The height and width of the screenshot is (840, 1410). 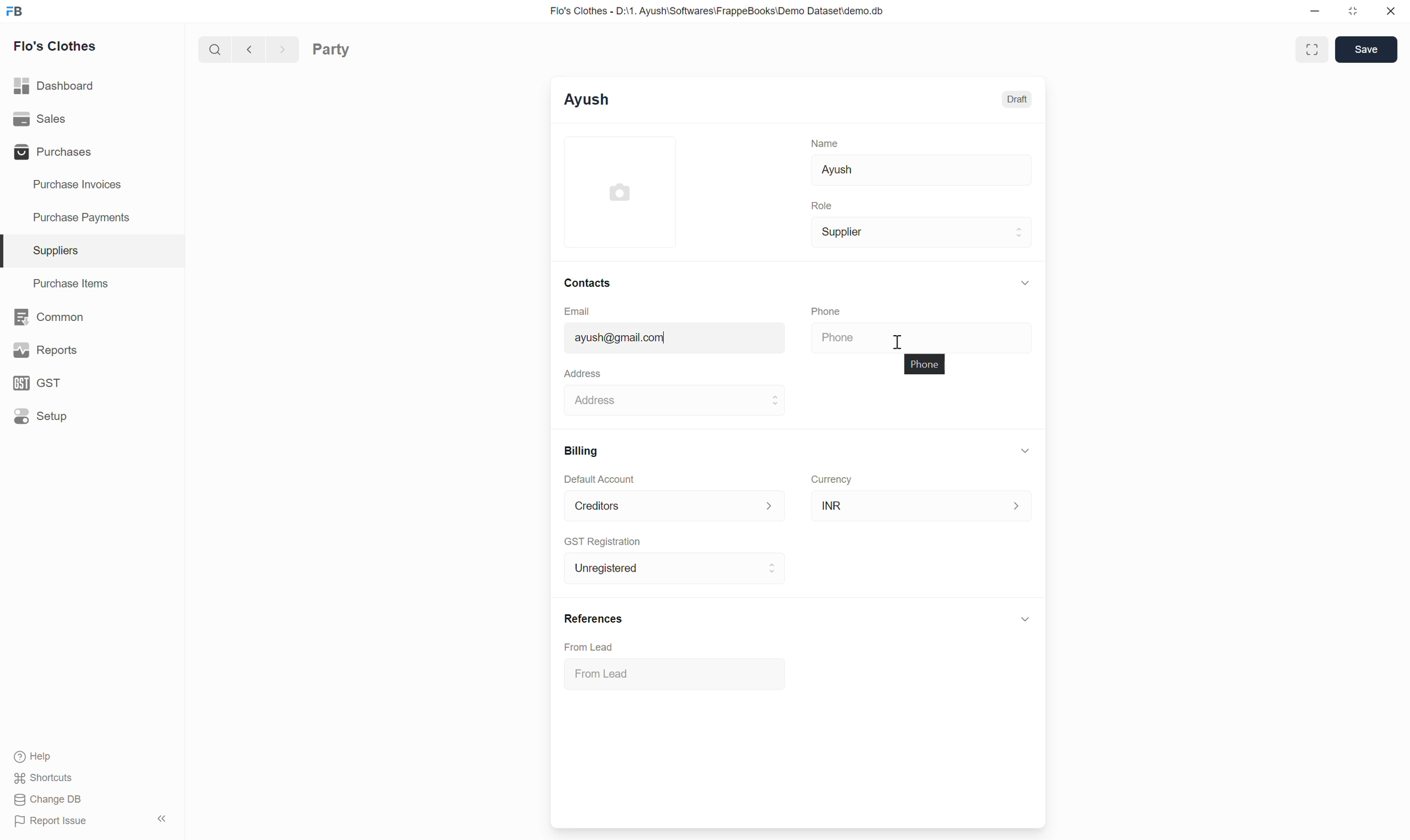 I want to click on Collapse, so click(x=1025, y=451).